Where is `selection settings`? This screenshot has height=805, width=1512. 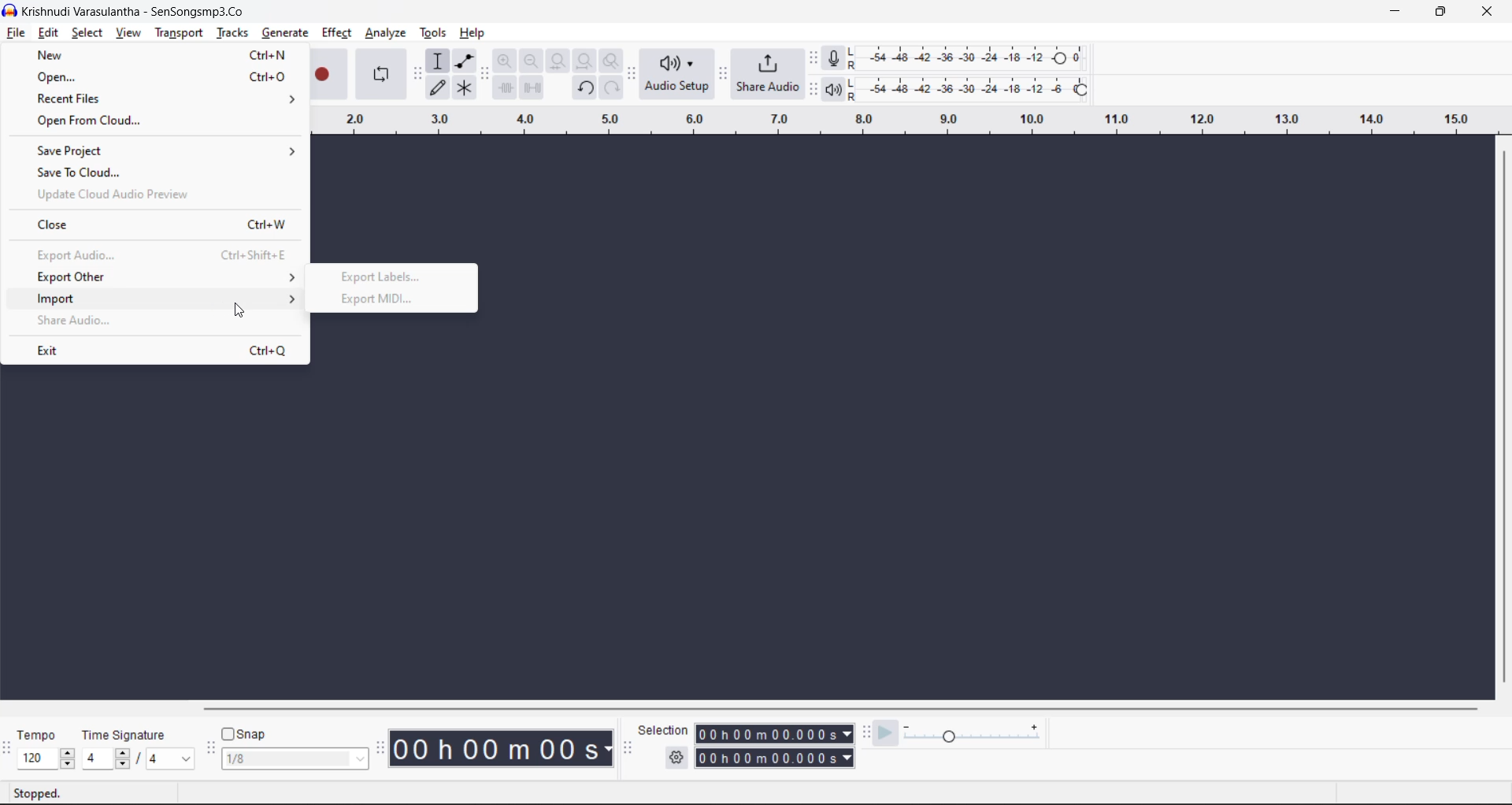
selection settings is located at coordinates (676, 757).